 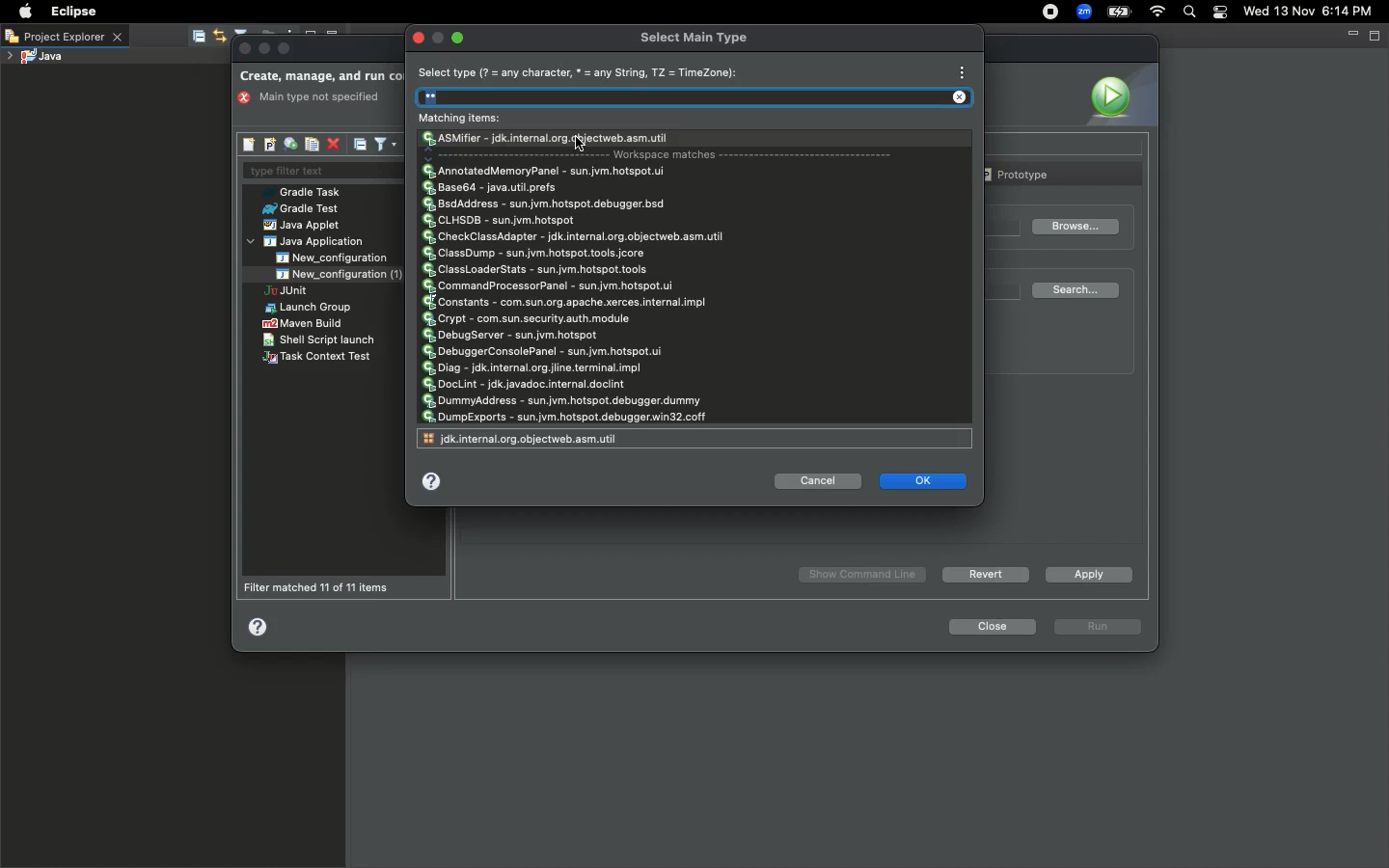 What do you see at coordinates (1119, 95) in the screenshot?
I see `Icon` at bounding box center [1119, 95].